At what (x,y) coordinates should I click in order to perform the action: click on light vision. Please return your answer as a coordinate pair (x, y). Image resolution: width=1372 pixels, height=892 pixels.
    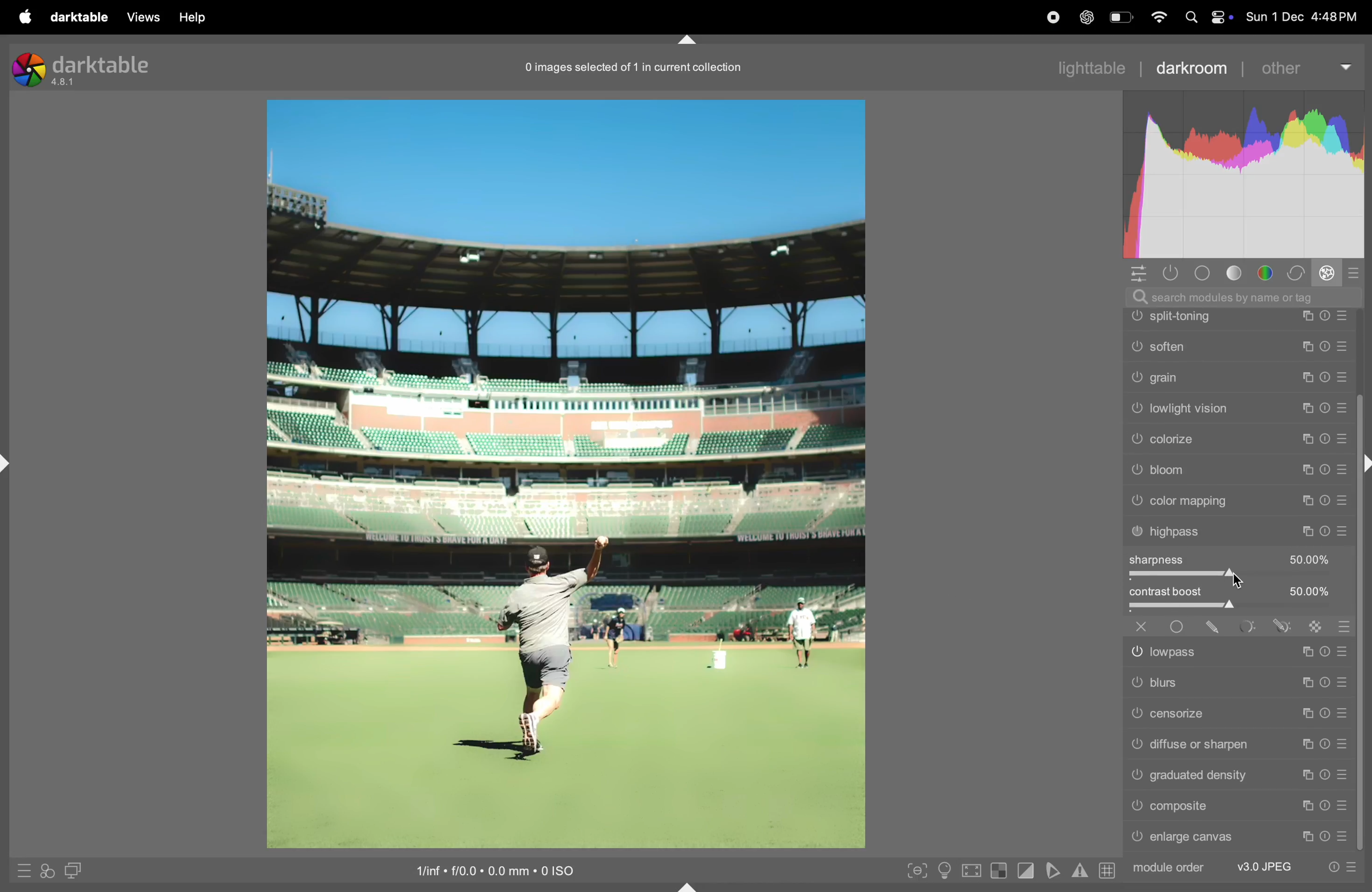
    Looking at the image, I should click on (1239, 499).